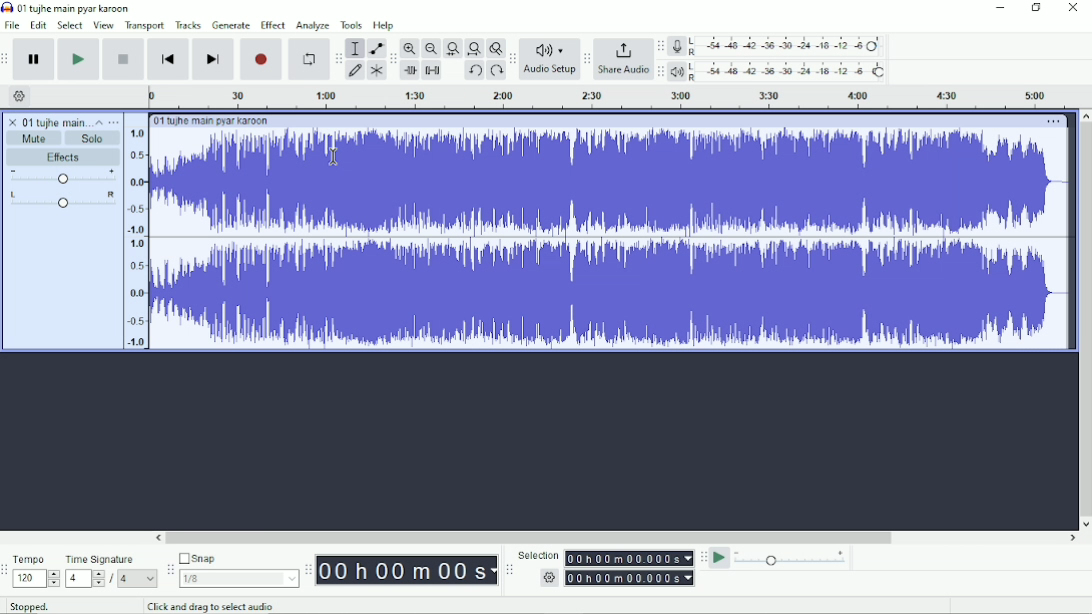 This screenshot has height=614, width=1092. I want to click on Zoom toggle, so click(495, 48).